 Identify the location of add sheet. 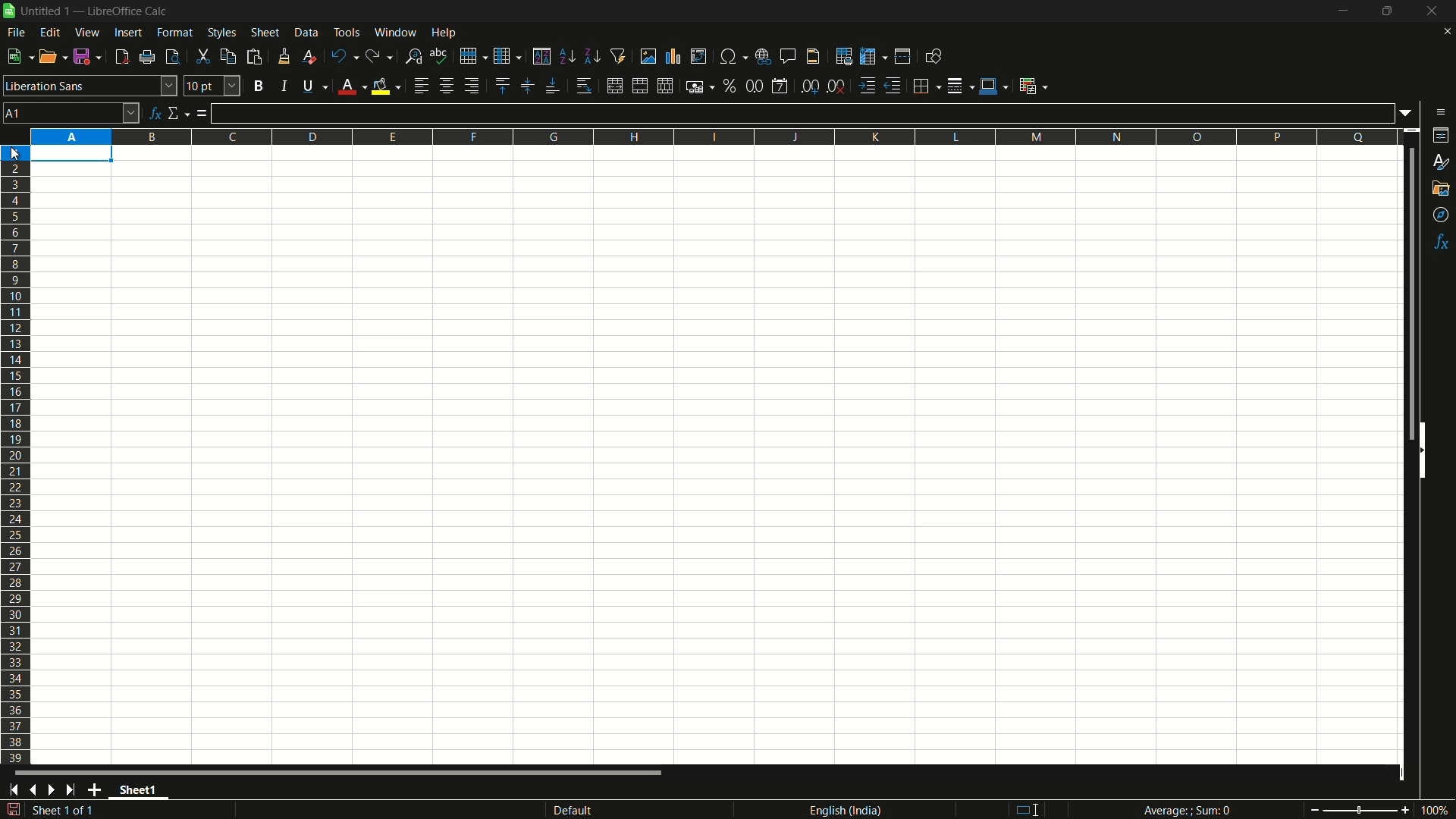
(98, 789).